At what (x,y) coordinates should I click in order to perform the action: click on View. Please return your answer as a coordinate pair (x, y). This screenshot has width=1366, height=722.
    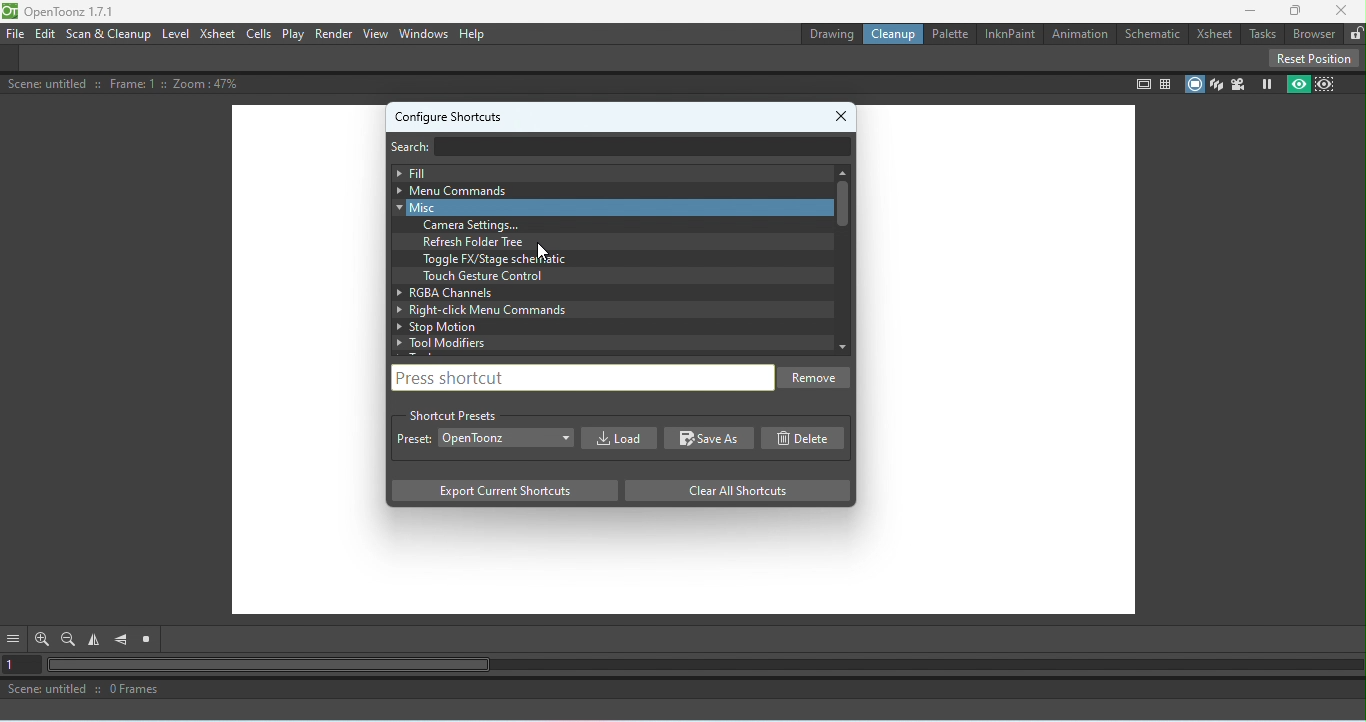
    Looking at the image, I should click on (374, 35).